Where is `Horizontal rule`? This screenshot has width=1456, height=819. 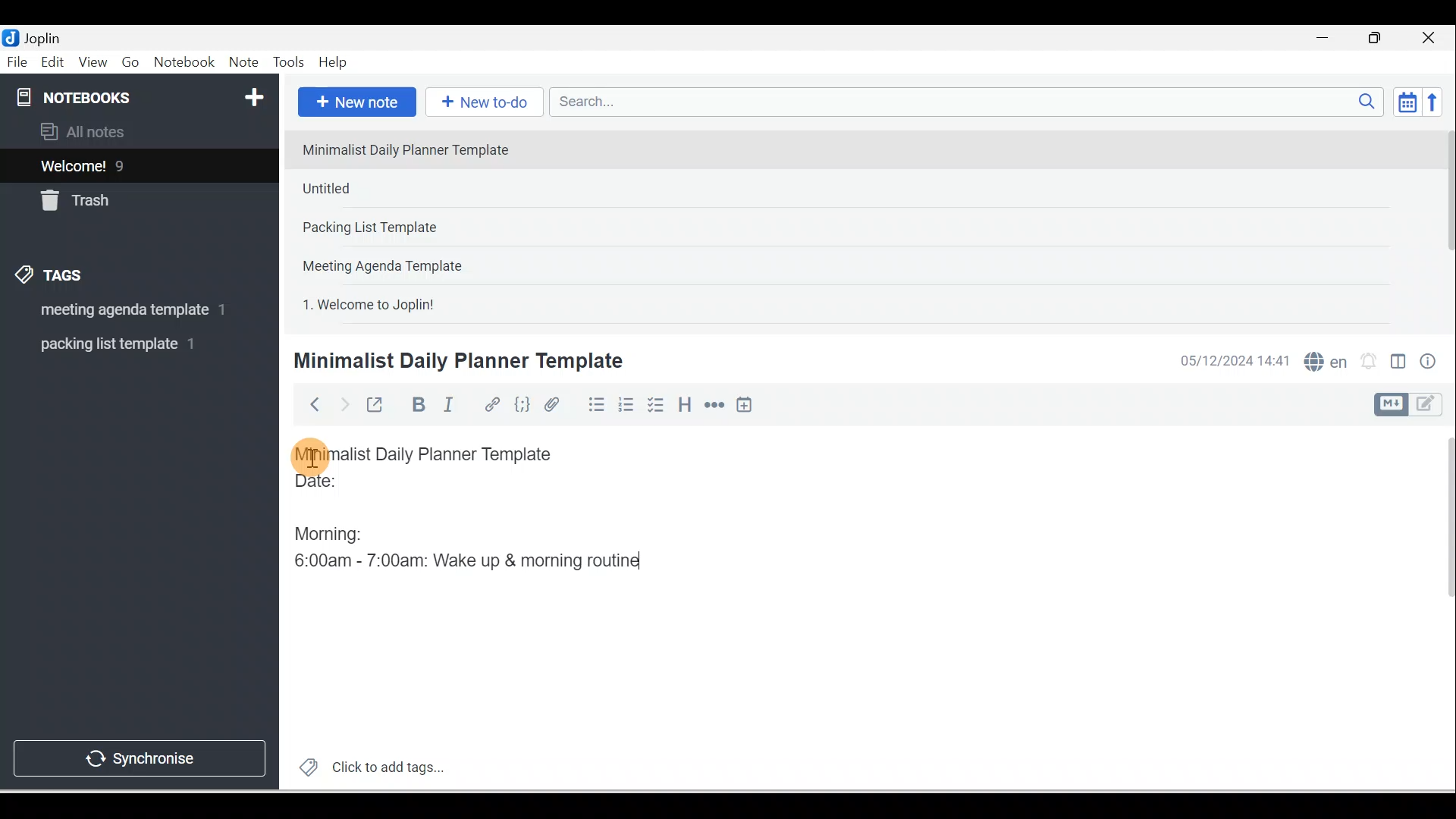 Horizontal rule is located at coordinates (716, 405).